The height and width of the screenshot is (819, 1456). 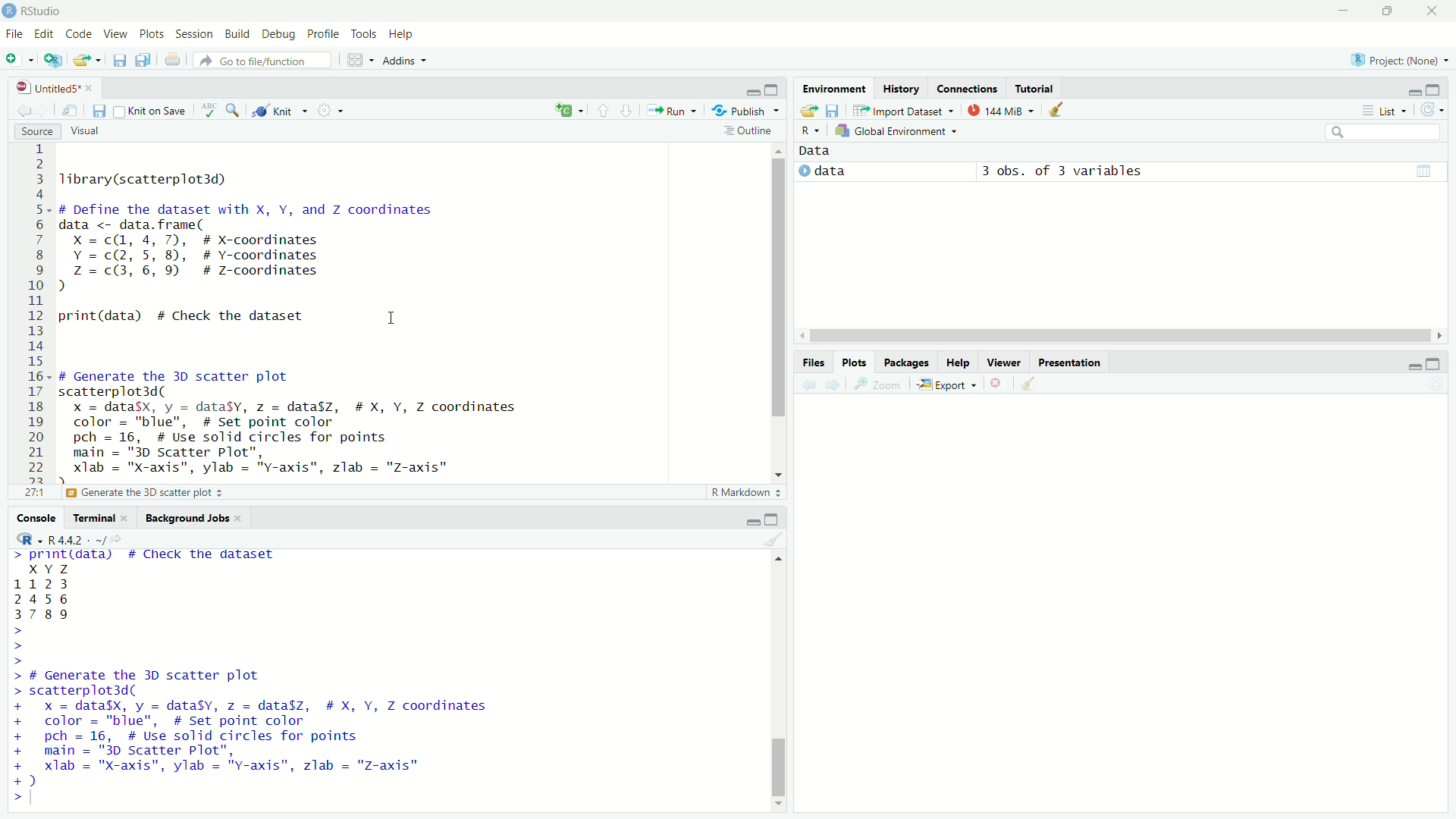 What do you see at coordinates (955, 360) in the screenshot?
I see `Help` at bounding box center [955, 360].